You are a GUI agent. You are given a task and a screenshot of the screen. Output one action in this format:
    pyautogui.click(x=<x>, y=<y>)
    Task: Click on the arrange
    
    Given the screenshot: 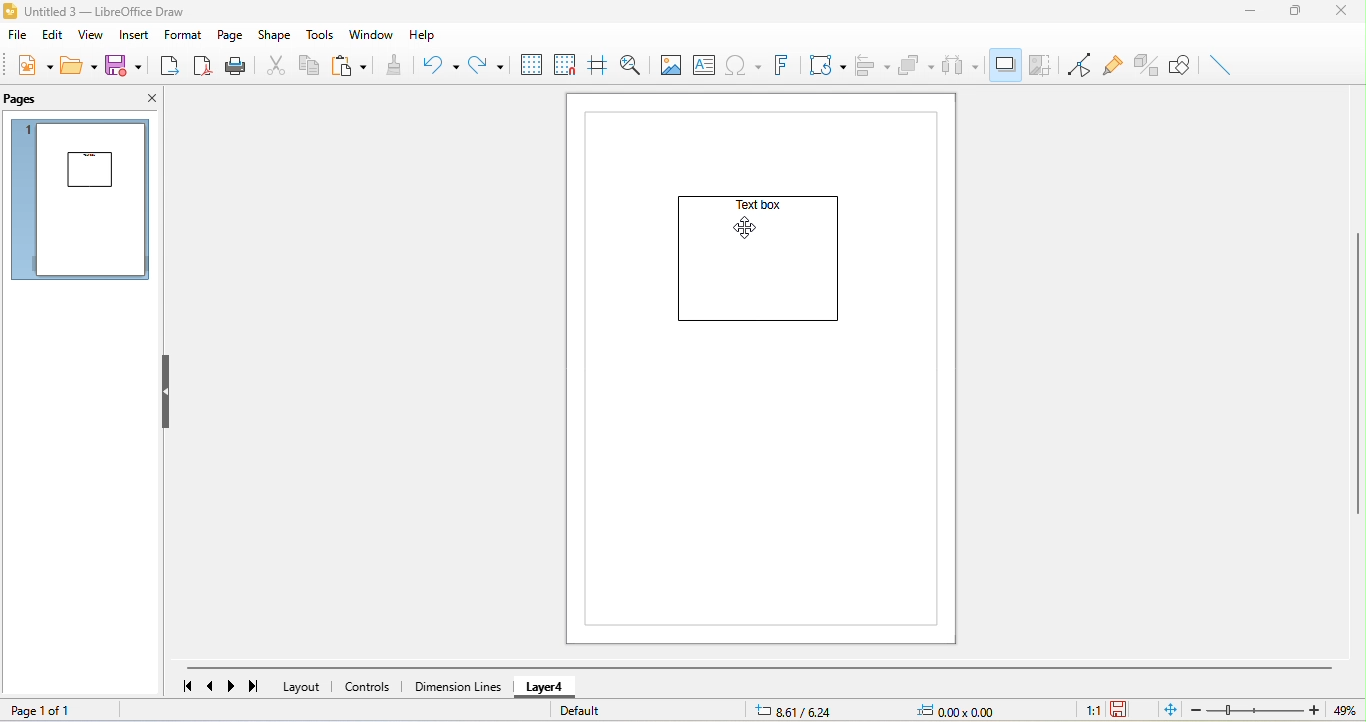 What is the action you would take?
    pyautogui.click(x=916, y=66)
    